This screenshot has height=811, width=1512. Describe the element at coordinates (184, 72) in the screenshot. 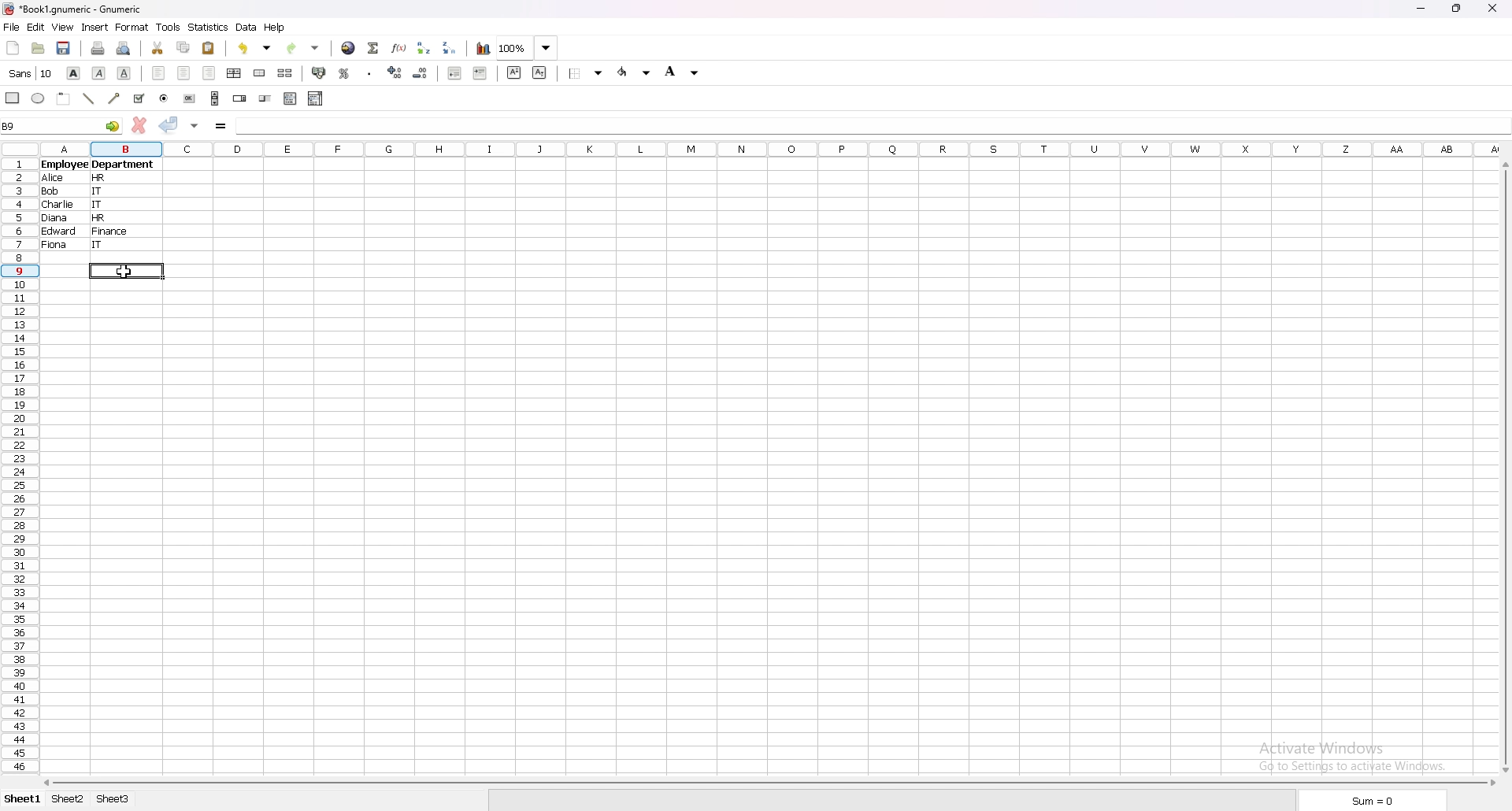

I see `centre` at that location.